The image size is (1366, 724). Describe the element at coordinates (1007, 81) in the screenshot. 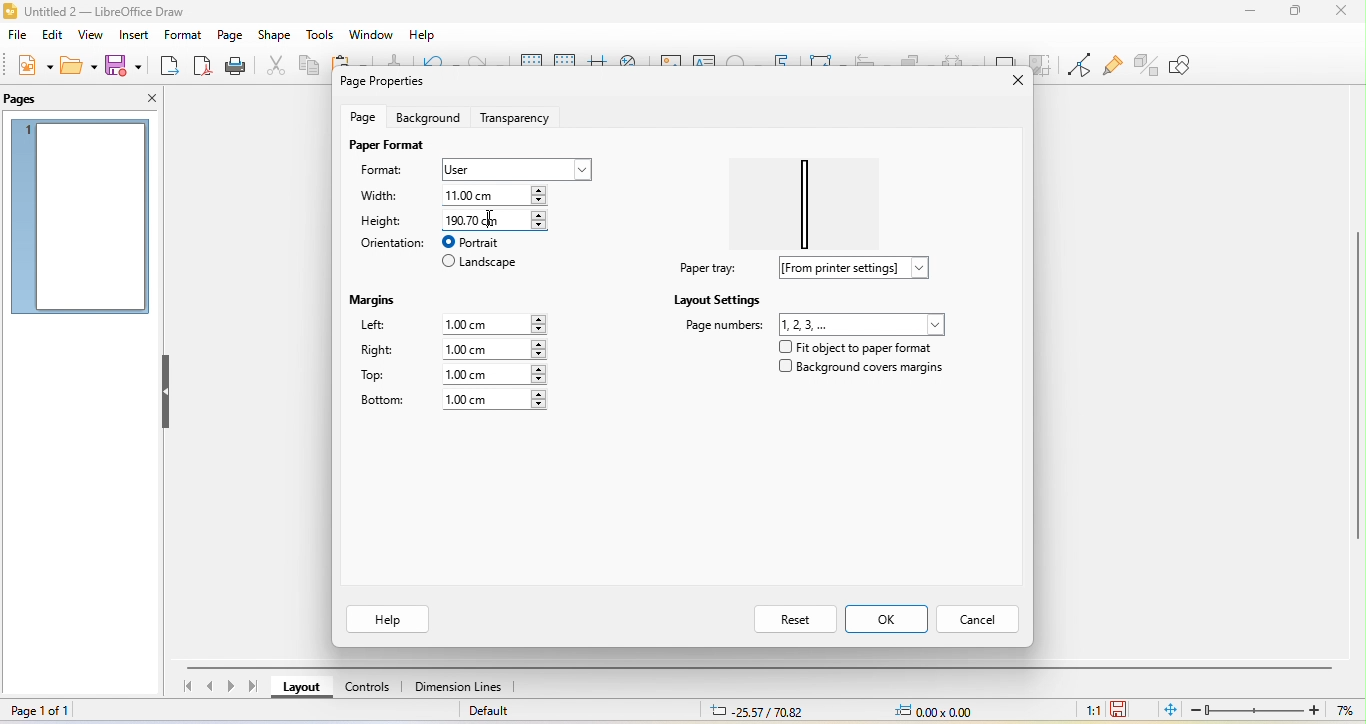

I see `close` at that location.